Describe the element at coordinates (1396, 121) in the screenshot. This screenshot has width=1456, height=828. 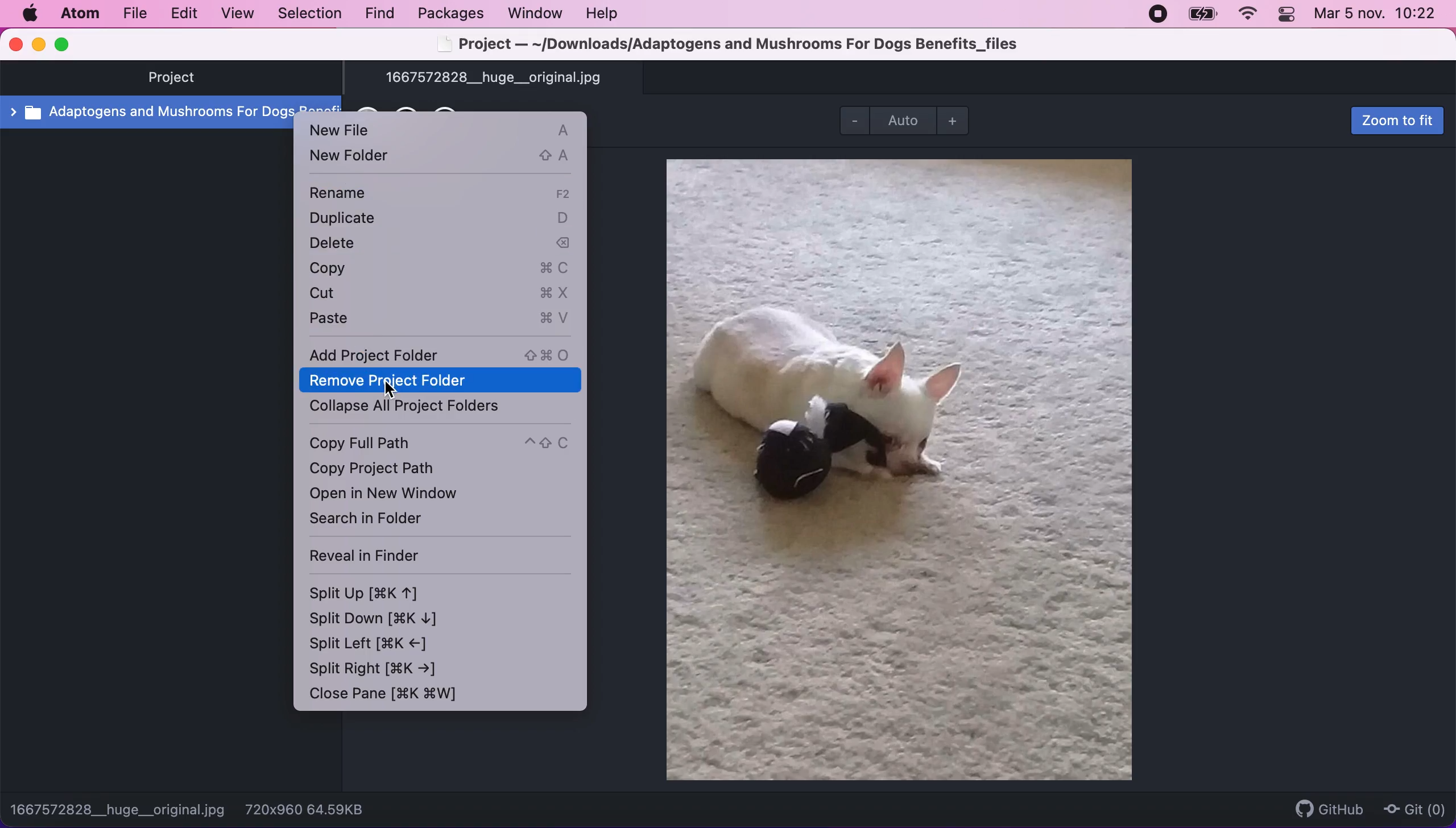
I see `zoom to fit` at that location.